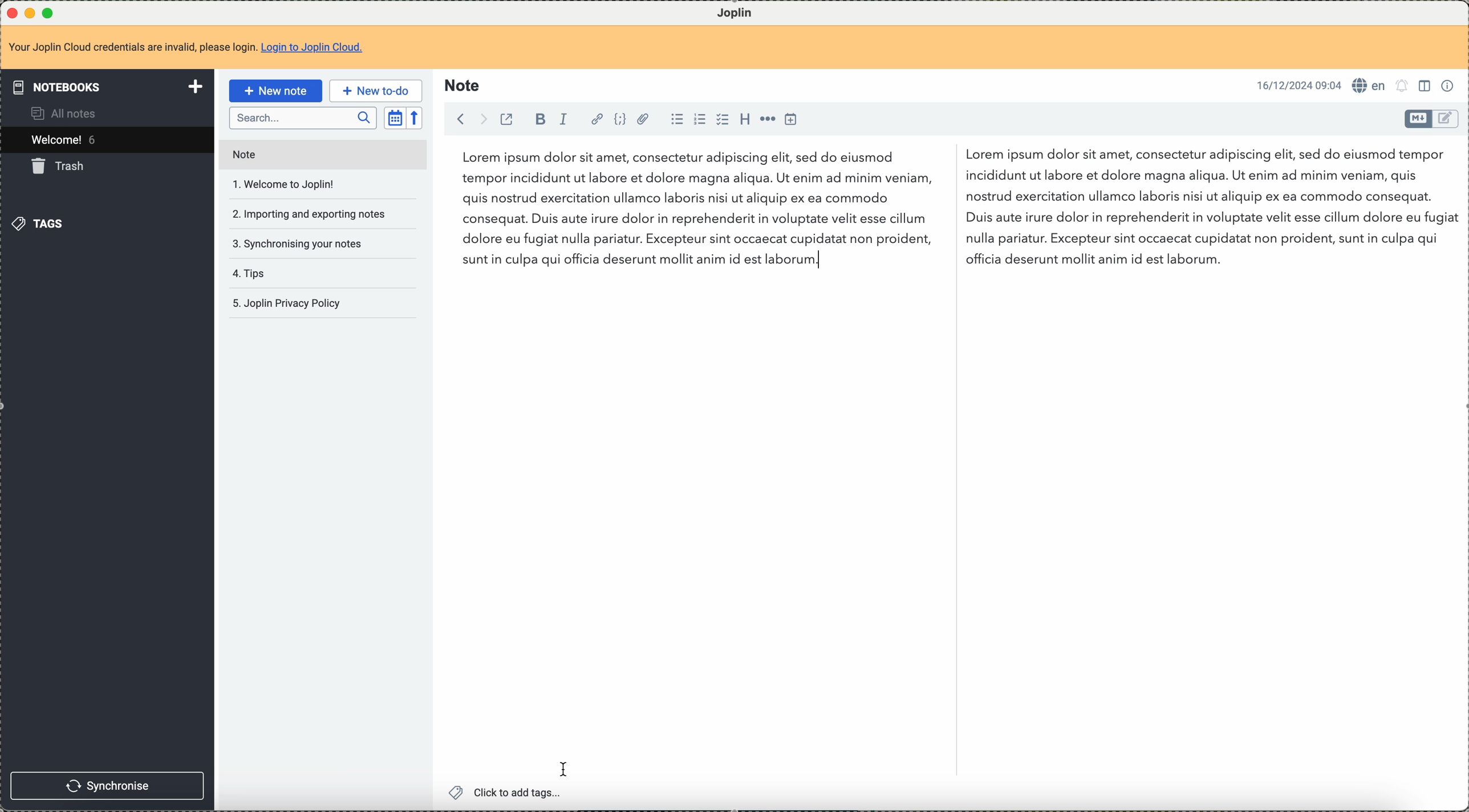 This screenshot has width=1469, height=812. What do you see at coordinates (289, 185) in the screenshot?
I see `welcome to joplin` at bounding box center [289, 185].